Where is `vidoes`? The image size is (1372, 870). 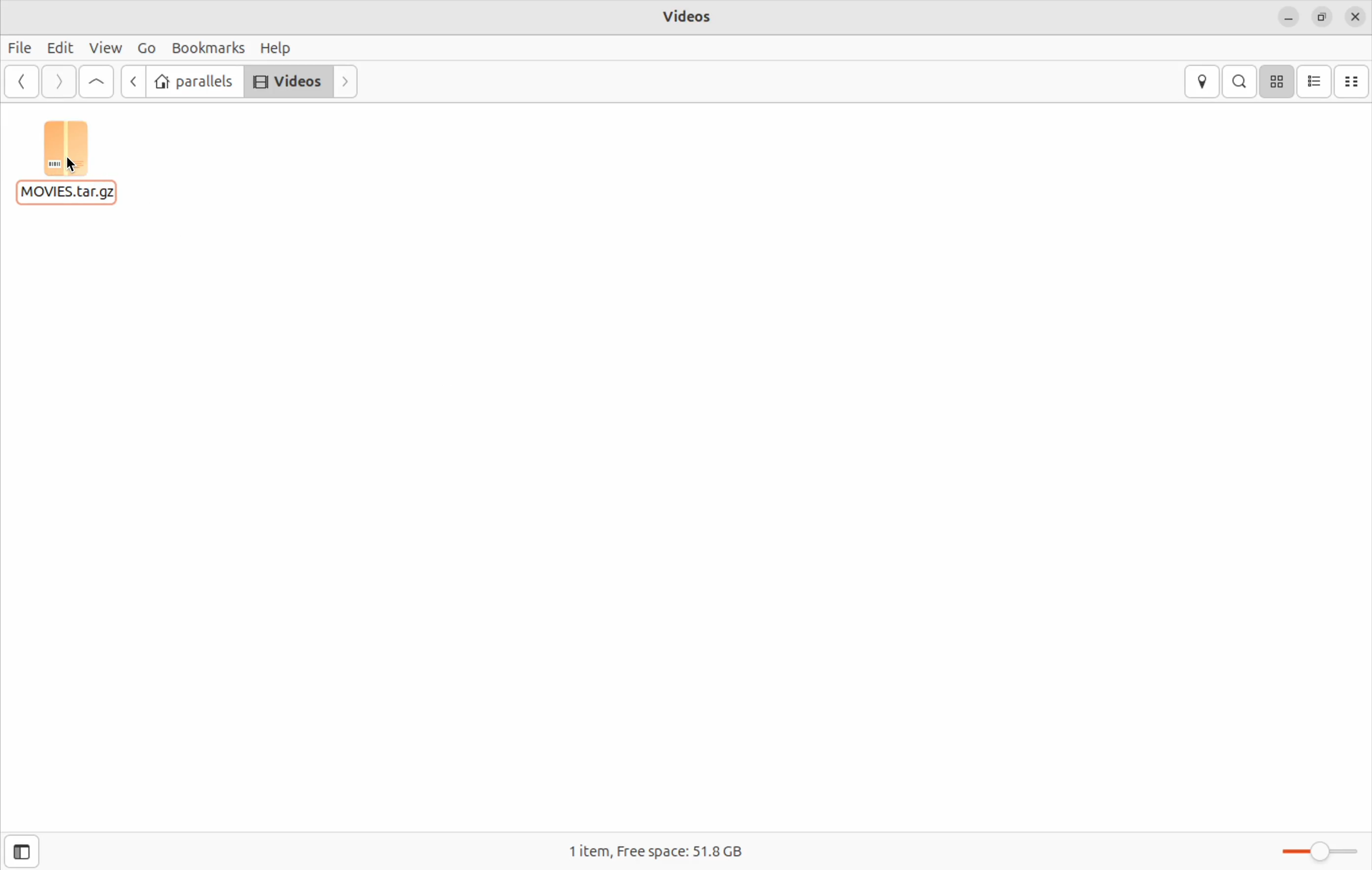 vidoes is located at coordinates (690, 16).